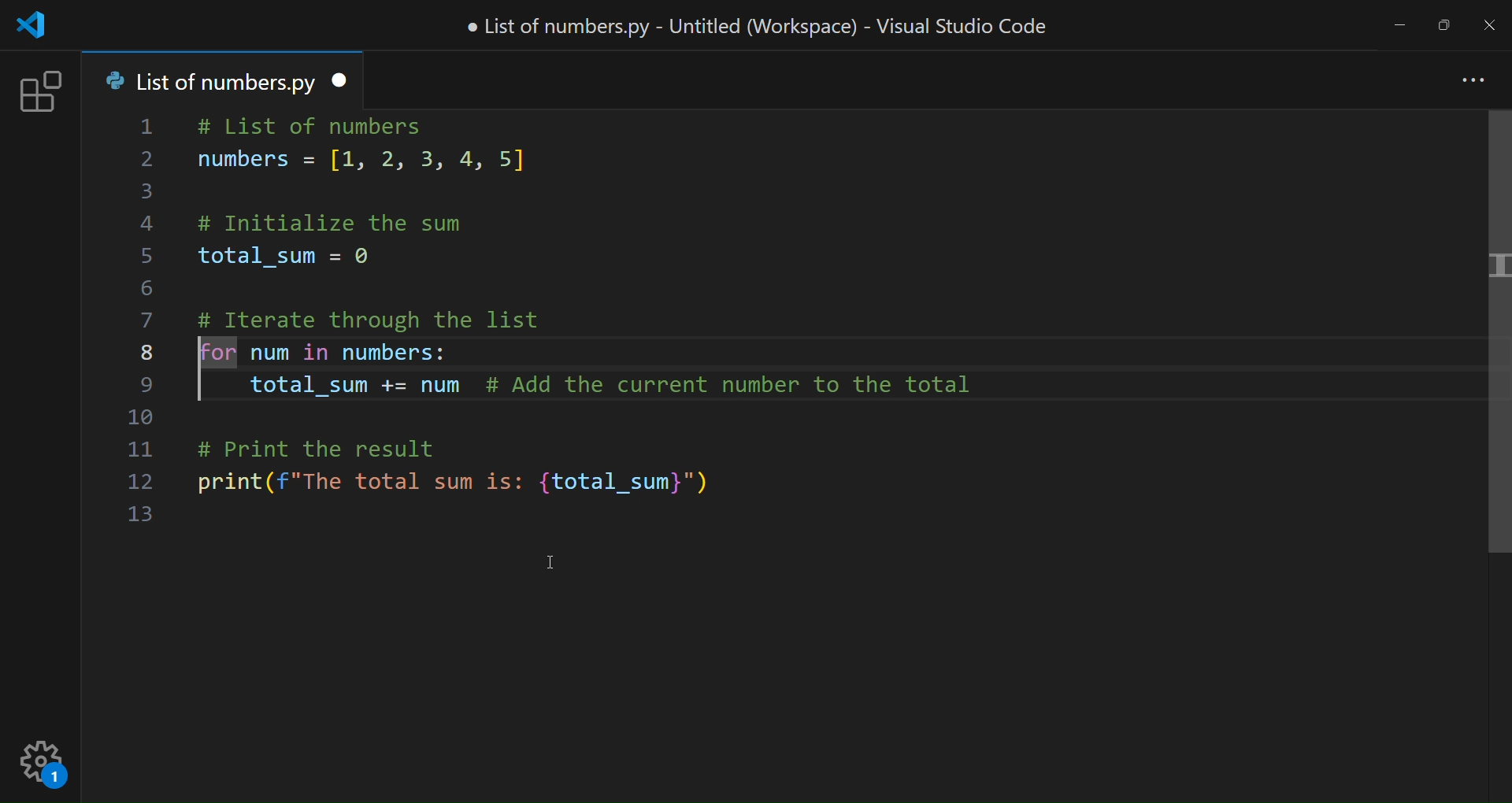  Describe the element at coordinates (37, 28) in the screenshot. I see `logo` at that location.